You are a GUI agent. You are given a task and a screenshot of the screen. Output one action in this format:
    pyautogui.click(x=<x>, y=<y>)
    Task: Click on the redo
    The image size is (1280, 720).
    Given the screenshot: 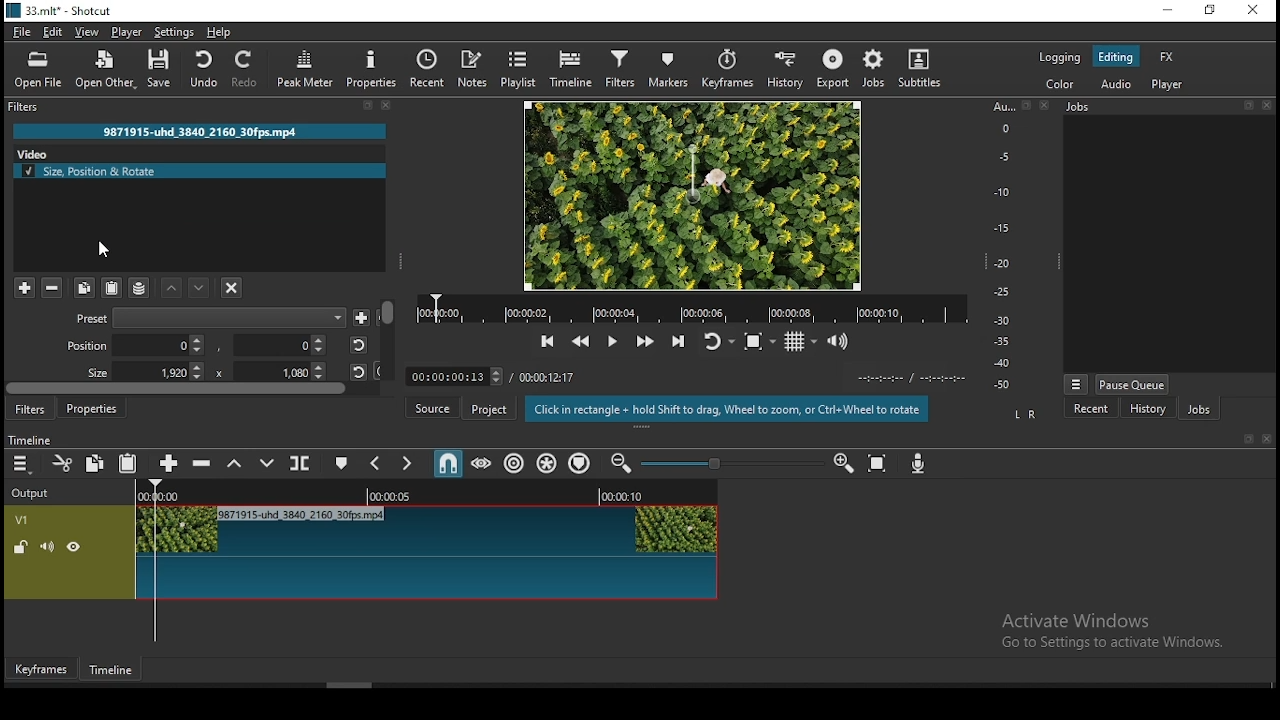 What is the action you would take?
    pyautogui.click(x=249, y=72)
    